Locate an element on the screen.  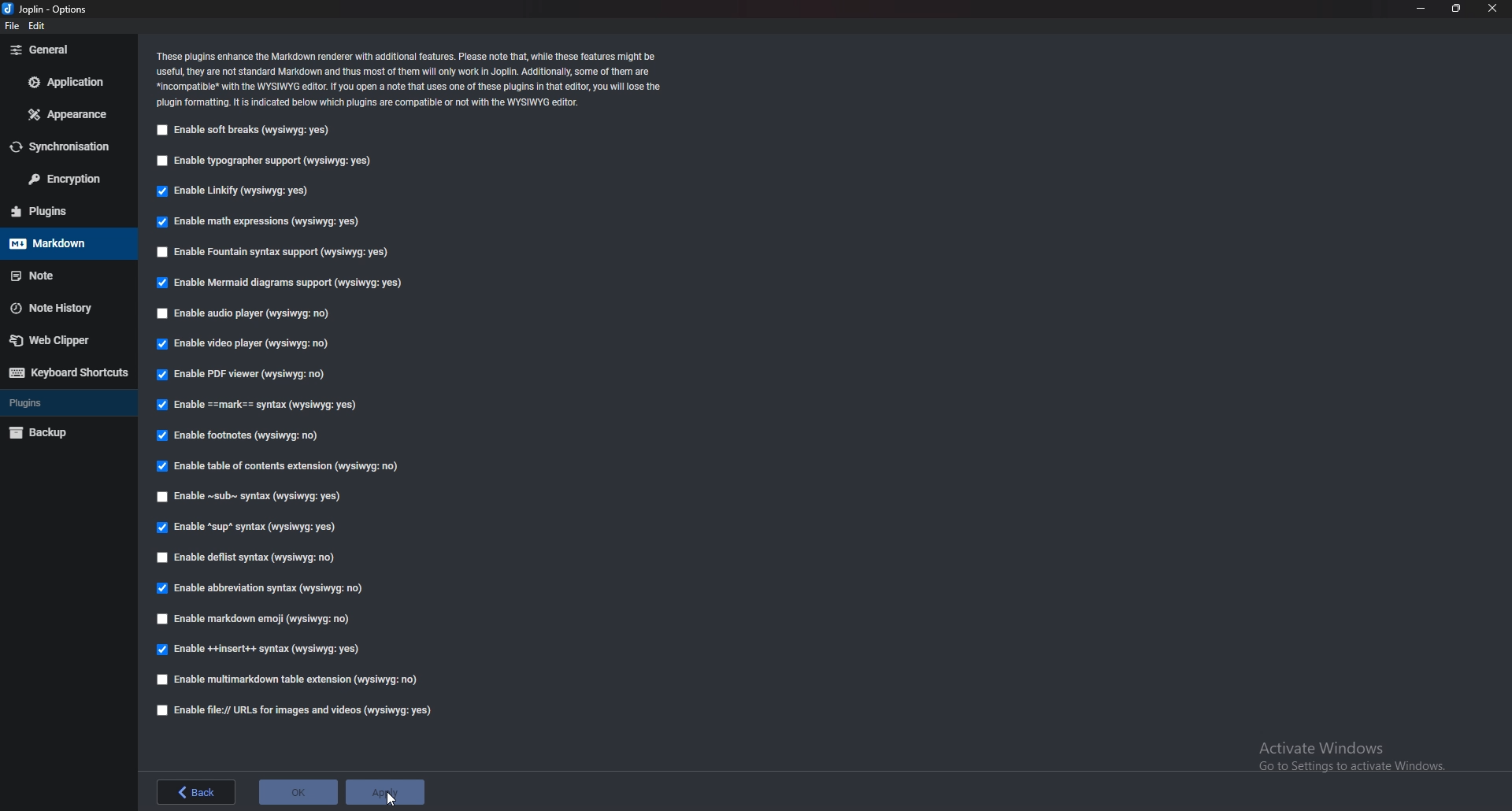
activate windows pop up is located at coordinates (1345, 762).